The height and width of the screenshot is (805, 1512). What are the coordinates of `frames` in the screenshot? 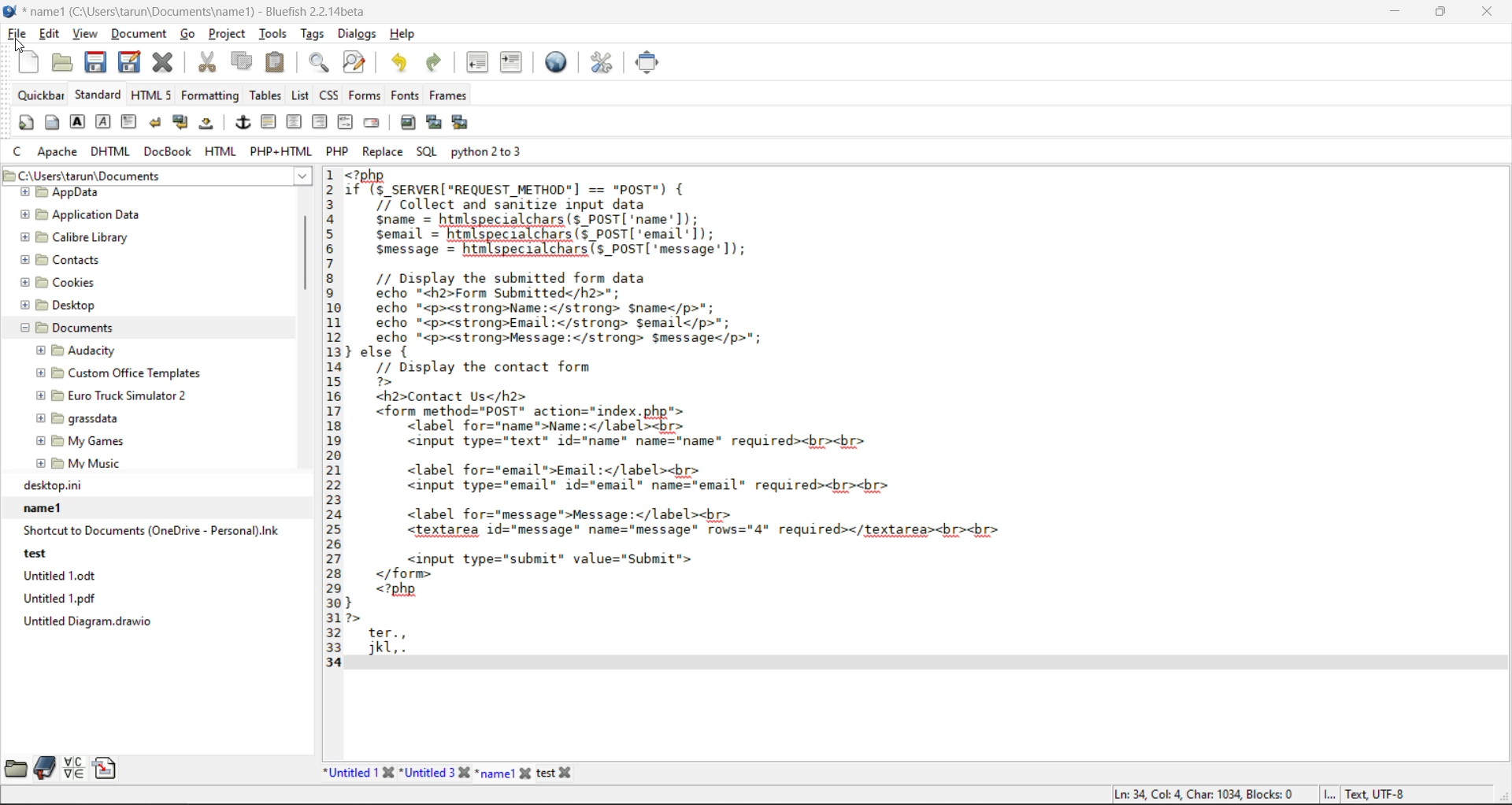 It's located at (450, 95).